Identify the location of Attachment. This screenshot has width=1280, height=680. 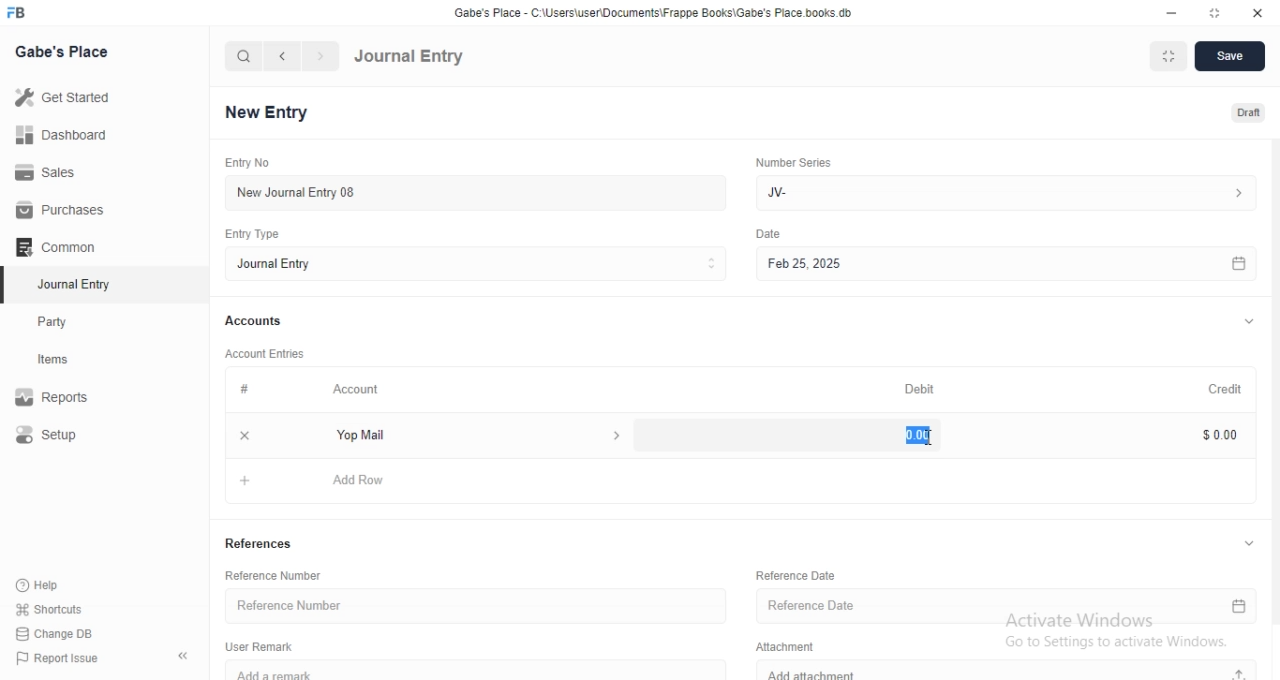
(781, 647).